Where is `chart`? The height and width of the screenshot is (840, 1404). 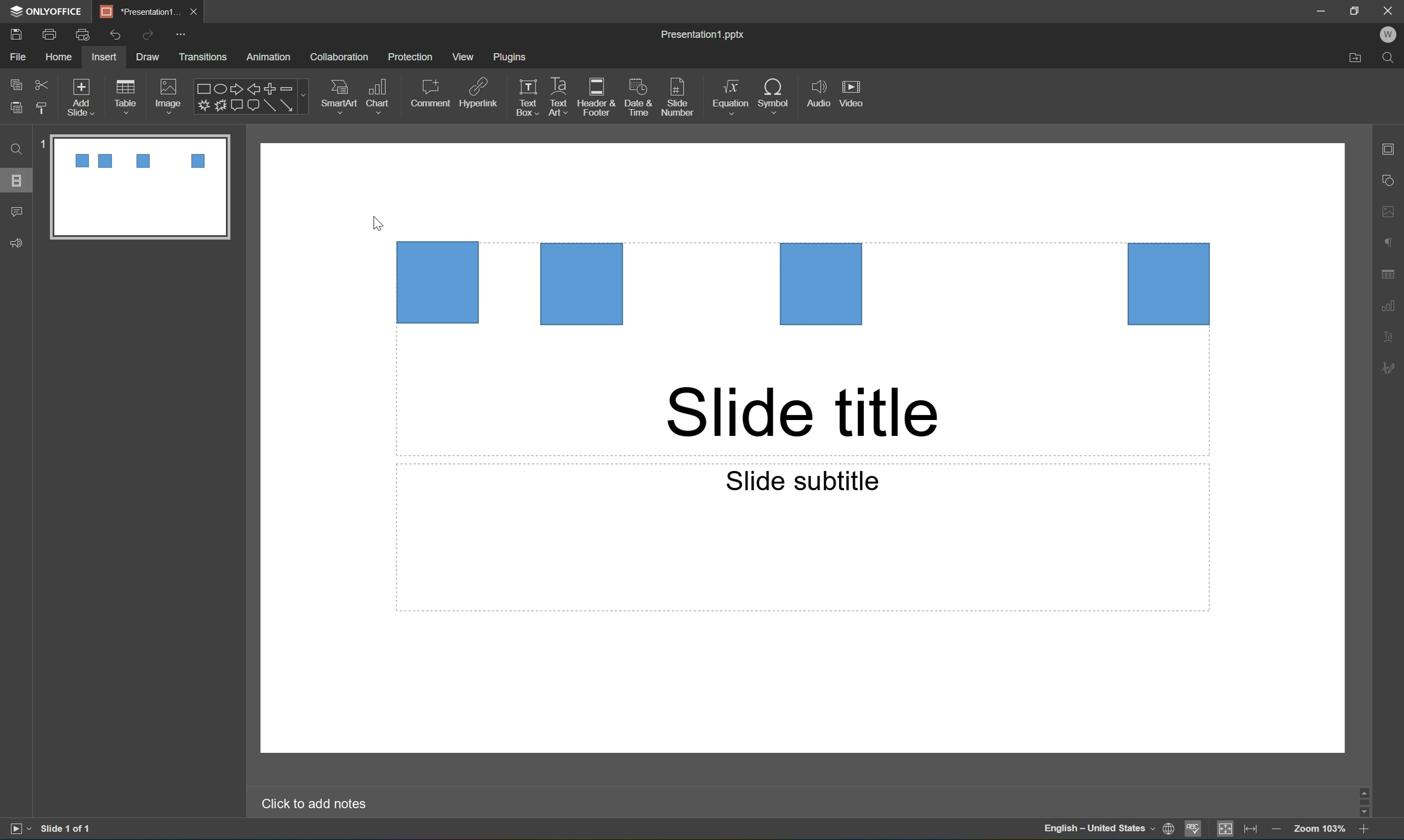
chart is located at coordinates (381, 93).